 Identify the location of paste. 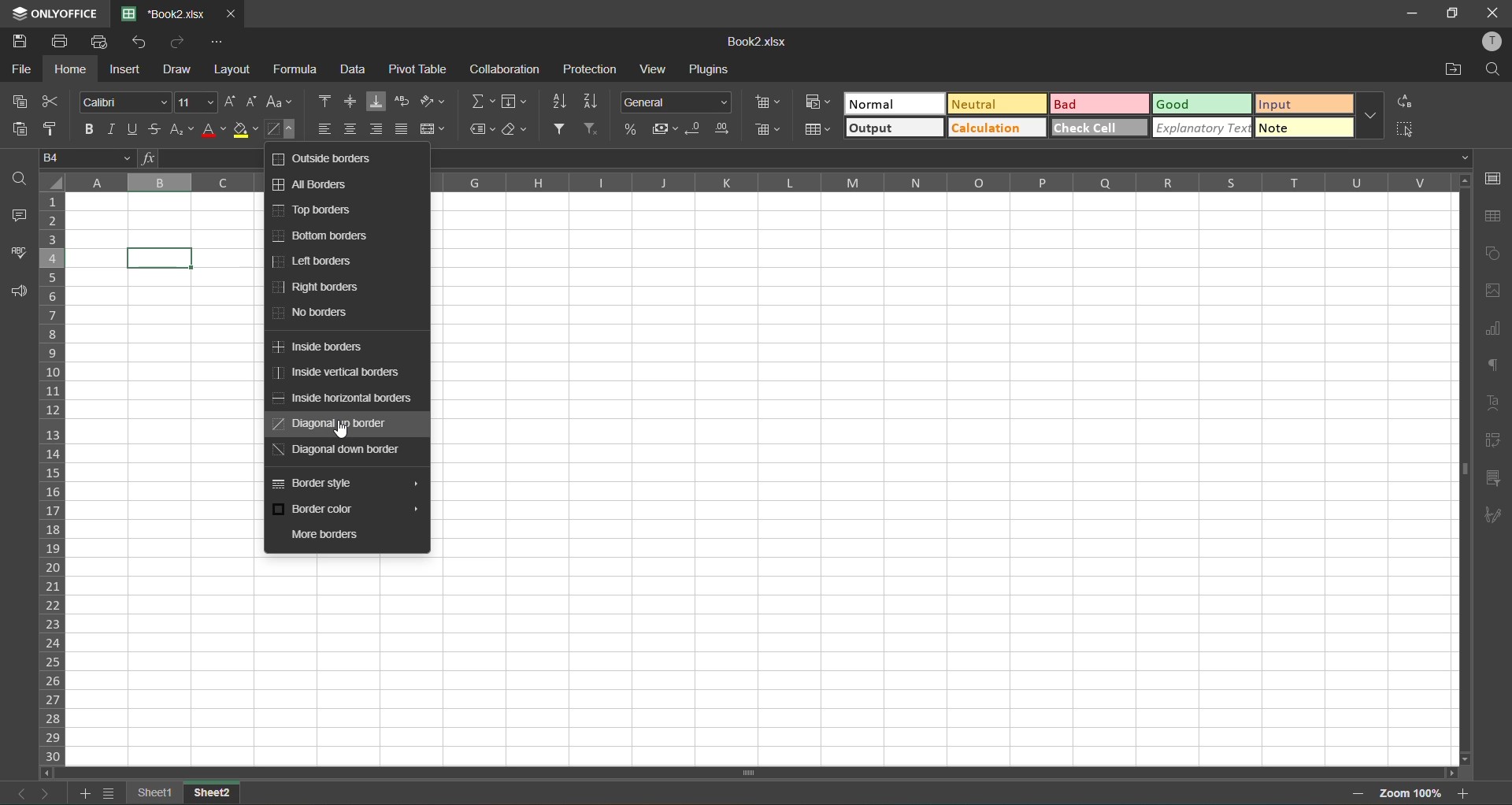
(25, 129).